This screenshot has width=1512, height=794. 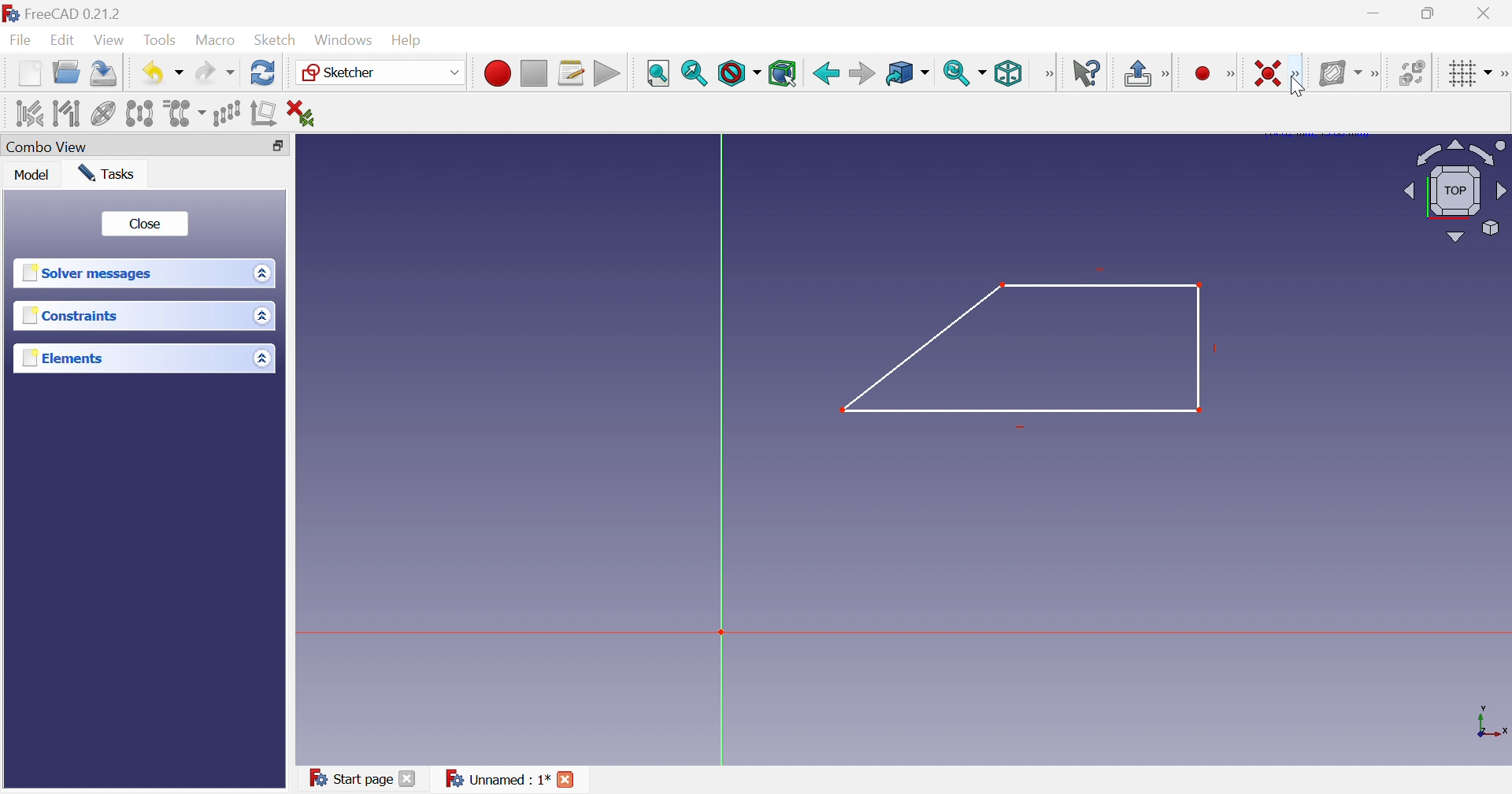 What do you see at coordinates (658, 72) in the screenshot?
I see `Fit all` at bounding box center [658, 72].